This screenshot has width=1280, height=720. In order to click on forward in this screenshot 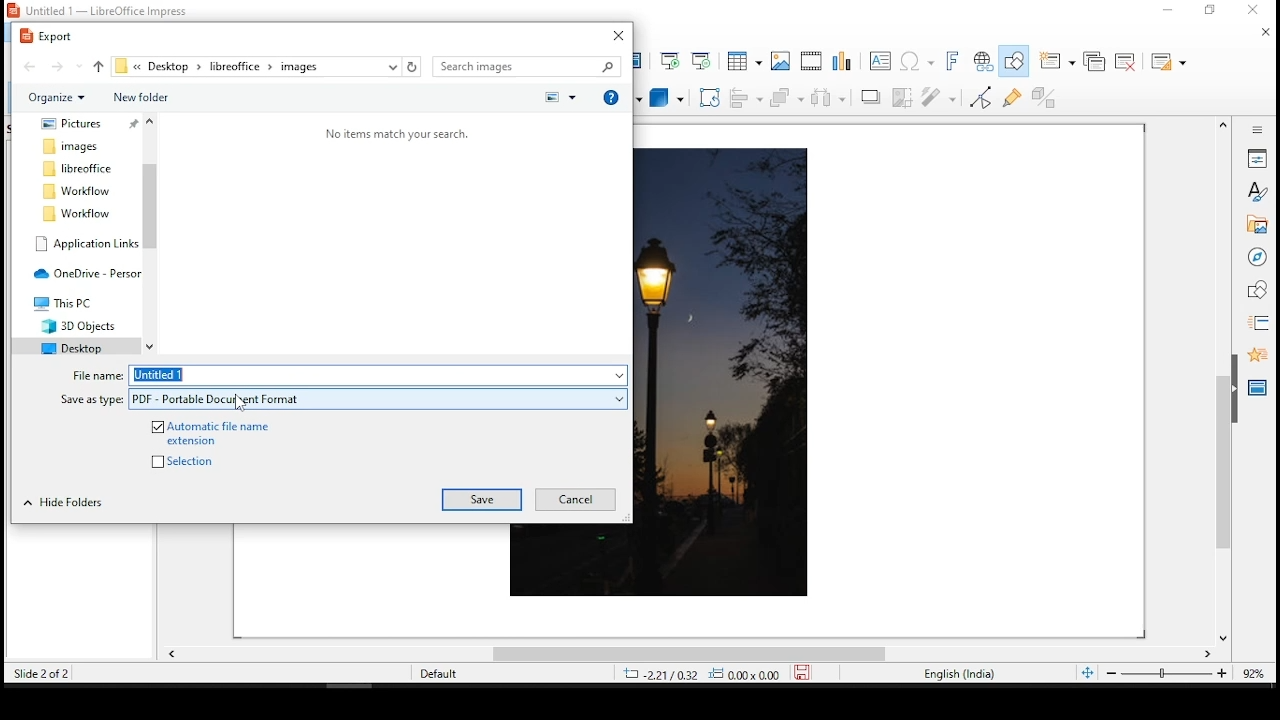, I will do `click(65, 65)`.